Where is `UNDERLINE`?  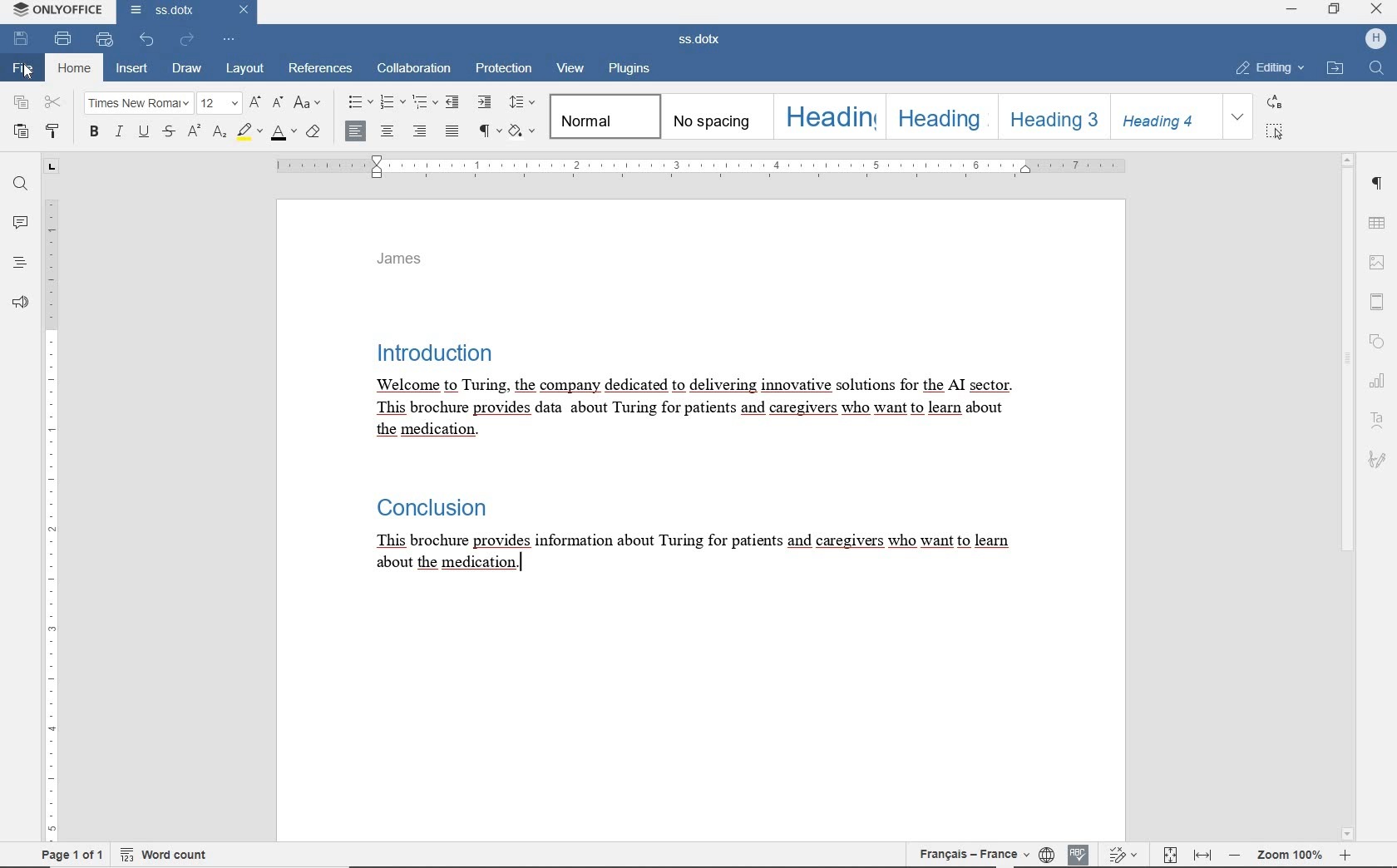 UNDERLINE is located at coordinates (144, 133).